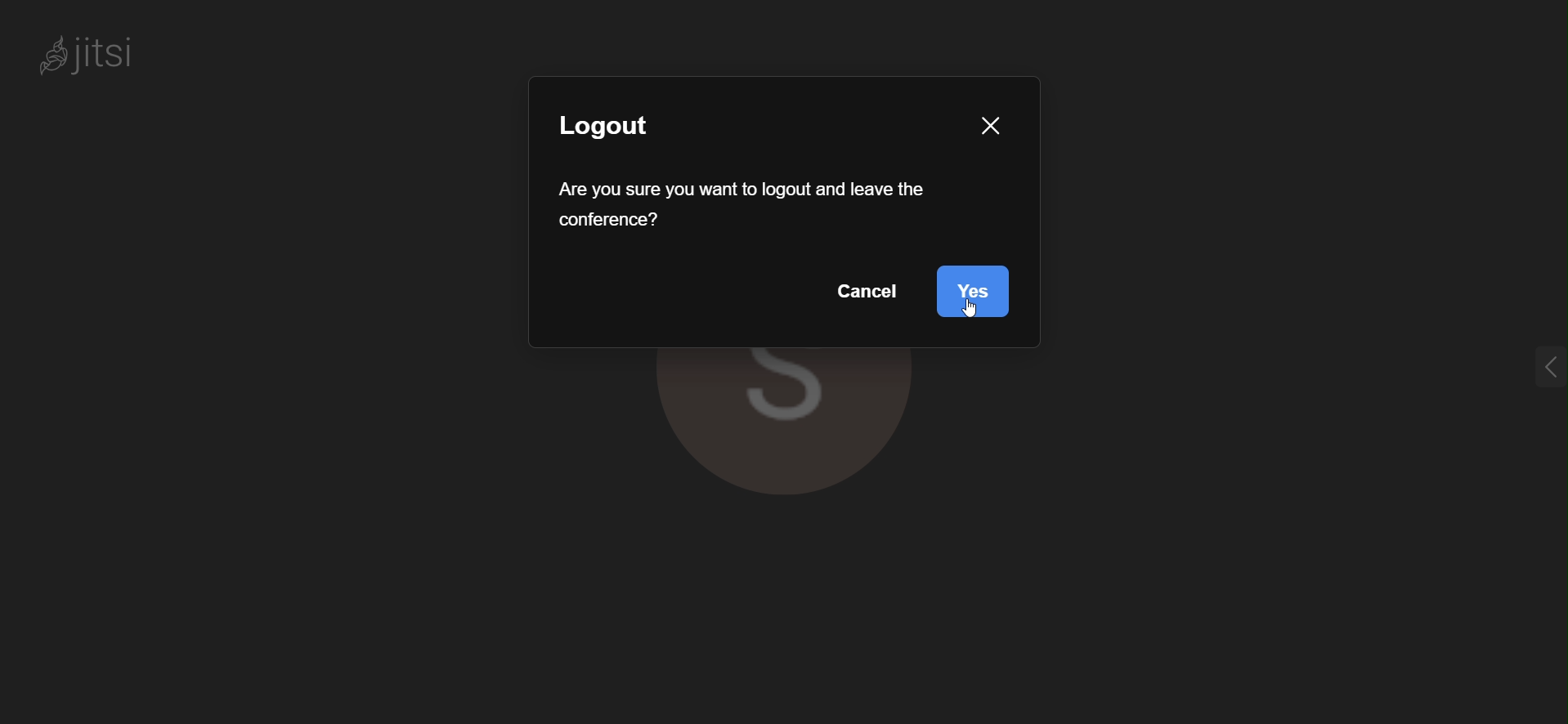  What do you see at coordinates (616, 127) in the screenshot?
I see `logout` at bounding box center [616, 127].